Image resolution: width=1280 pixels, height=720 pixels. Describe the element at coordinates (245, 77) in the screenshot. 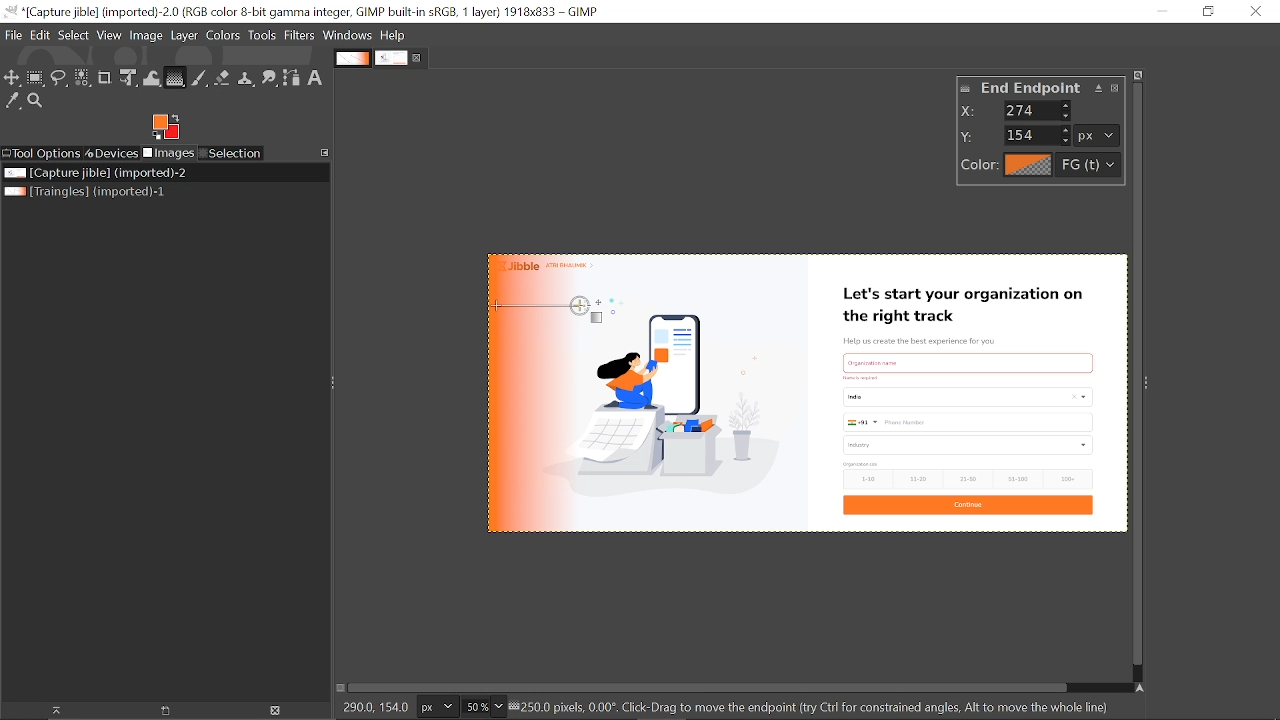

I see `Clone tool` at that location.